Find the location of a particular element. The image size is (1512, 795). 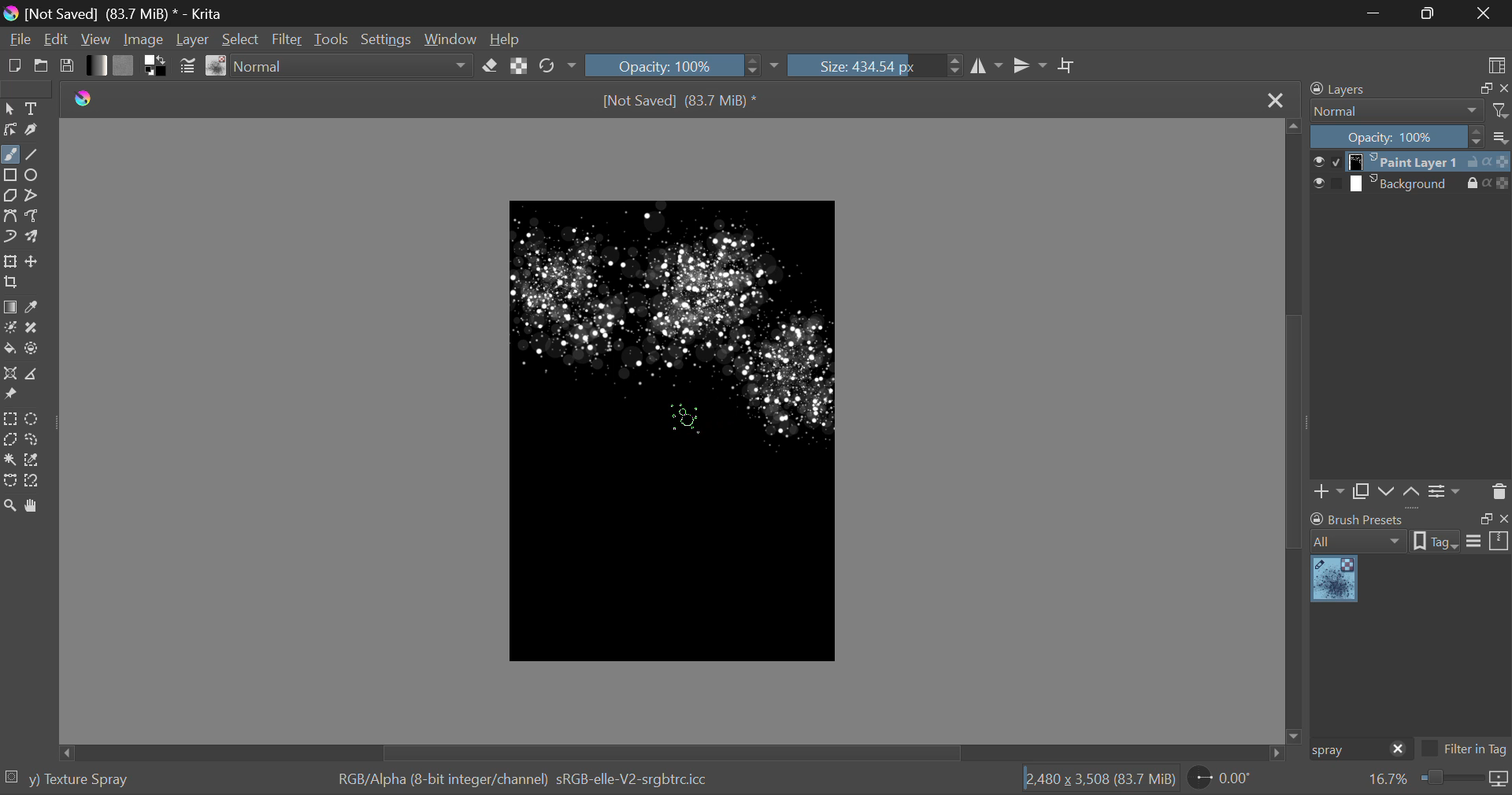

Scroll Bar is located at coordinates (1295, 429).